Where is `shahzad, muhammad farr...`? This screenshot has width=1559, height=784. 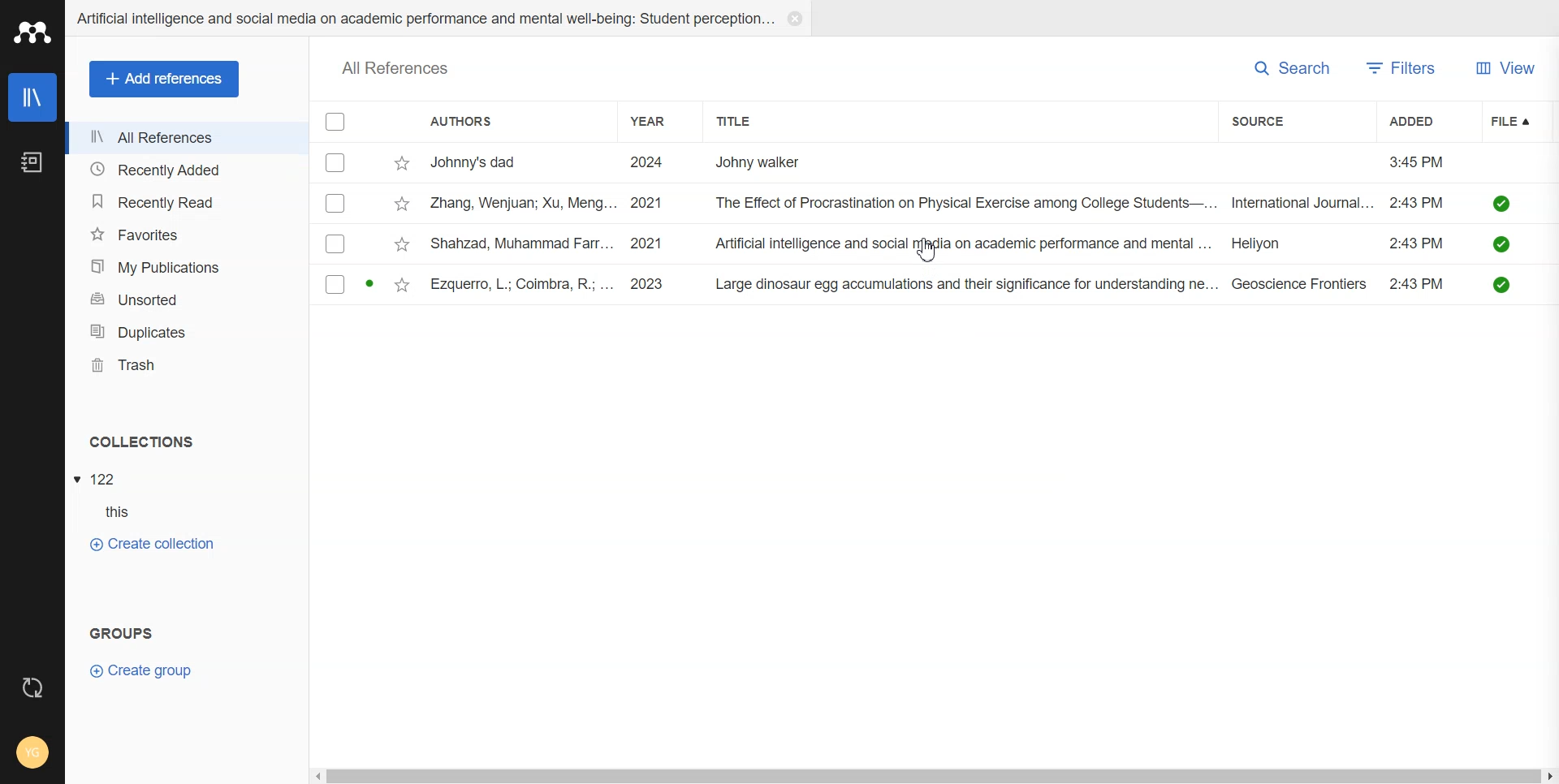 shahzad, muhammad farr... is located at coordinates (524, 243).